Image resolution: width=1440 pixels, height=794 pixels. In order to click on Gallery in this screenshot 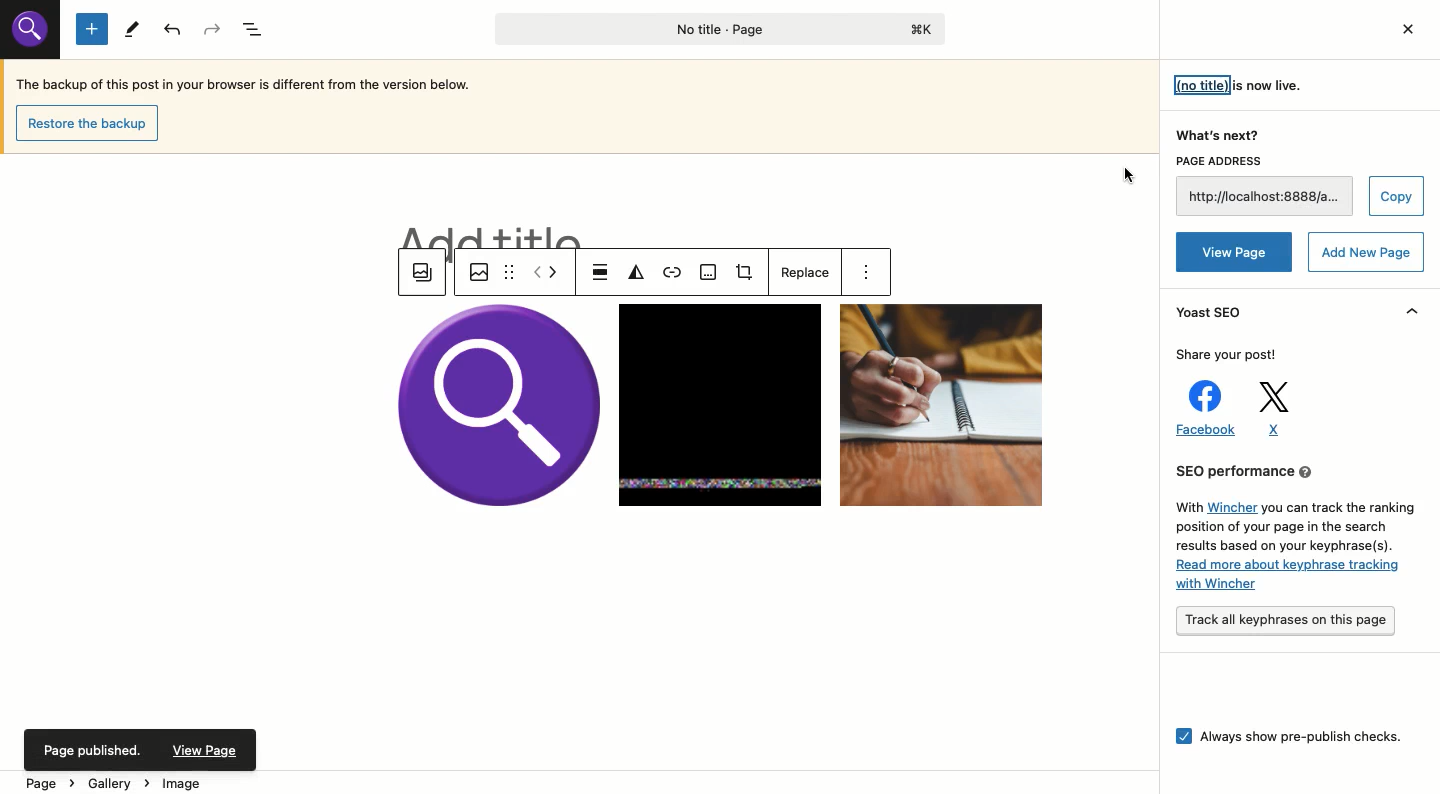, I will do `click(721, 406)`.